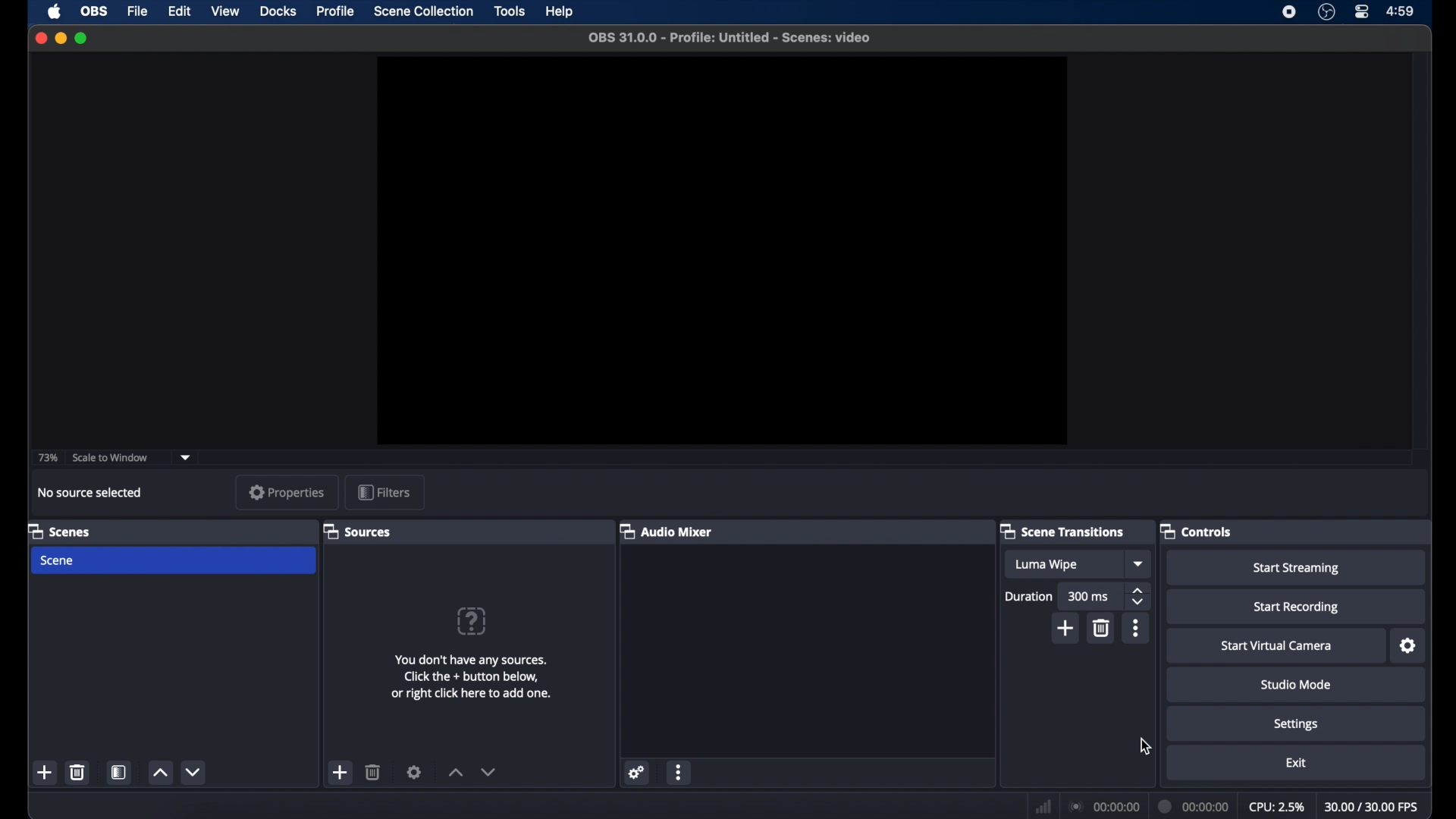 This screenshot has width=1456, height=819. Describe the element at coordinates (111, 457) in the screenshot. I see `scale to window` at that location.